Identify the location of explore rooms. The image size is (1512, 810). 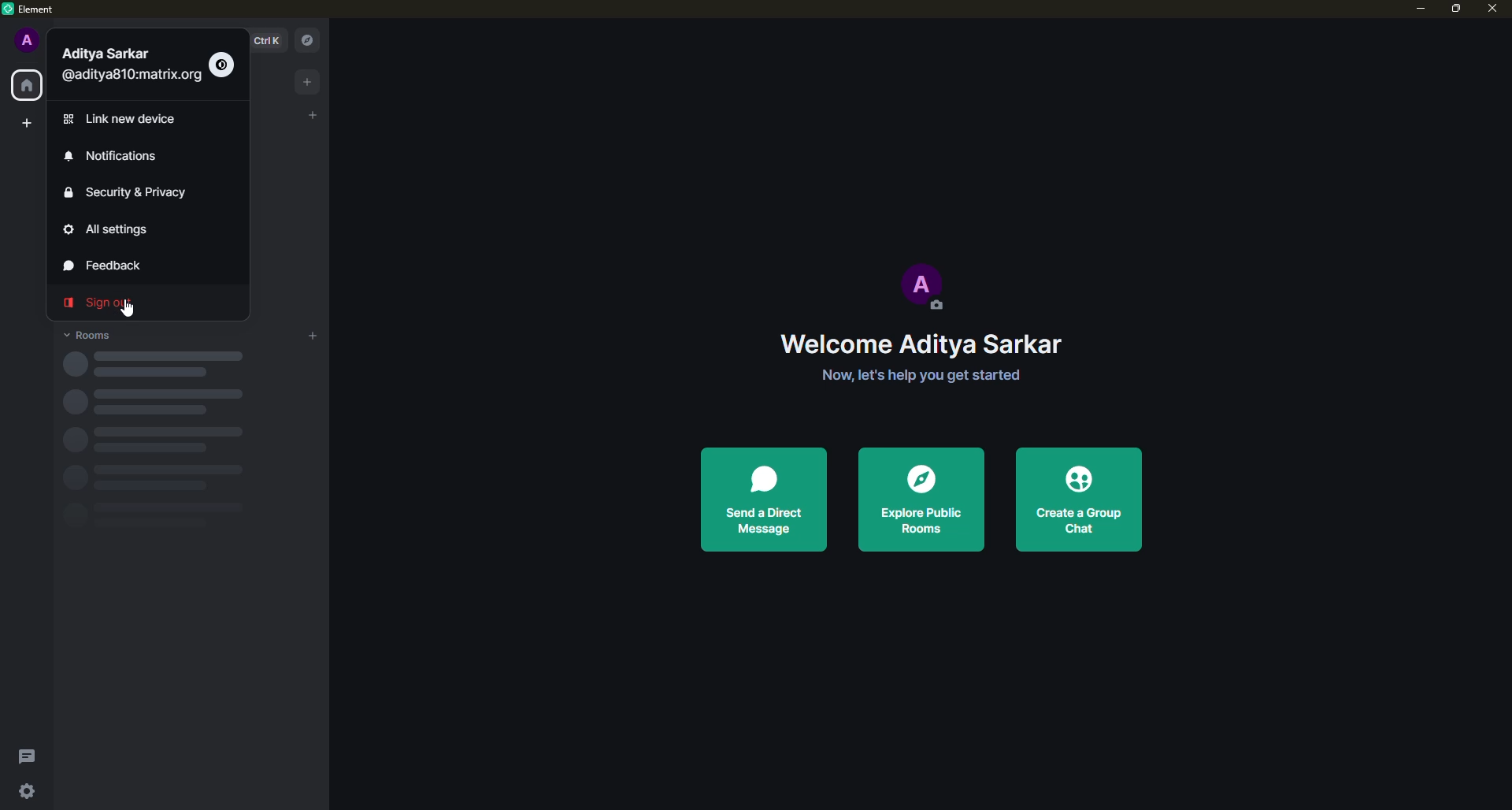
(312, 39).